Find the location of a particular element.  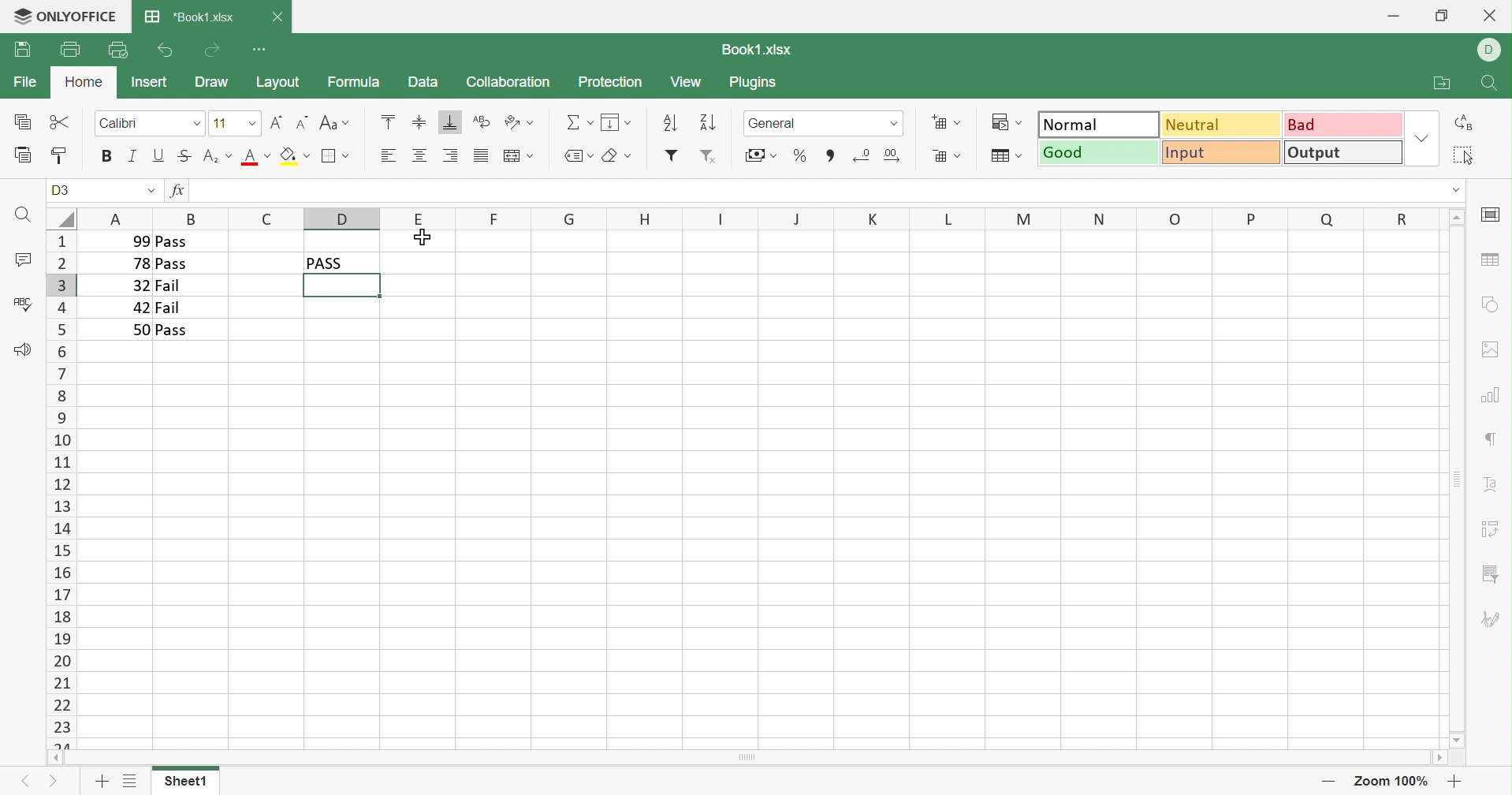

Drop down is located at coordinates (1455, 189).